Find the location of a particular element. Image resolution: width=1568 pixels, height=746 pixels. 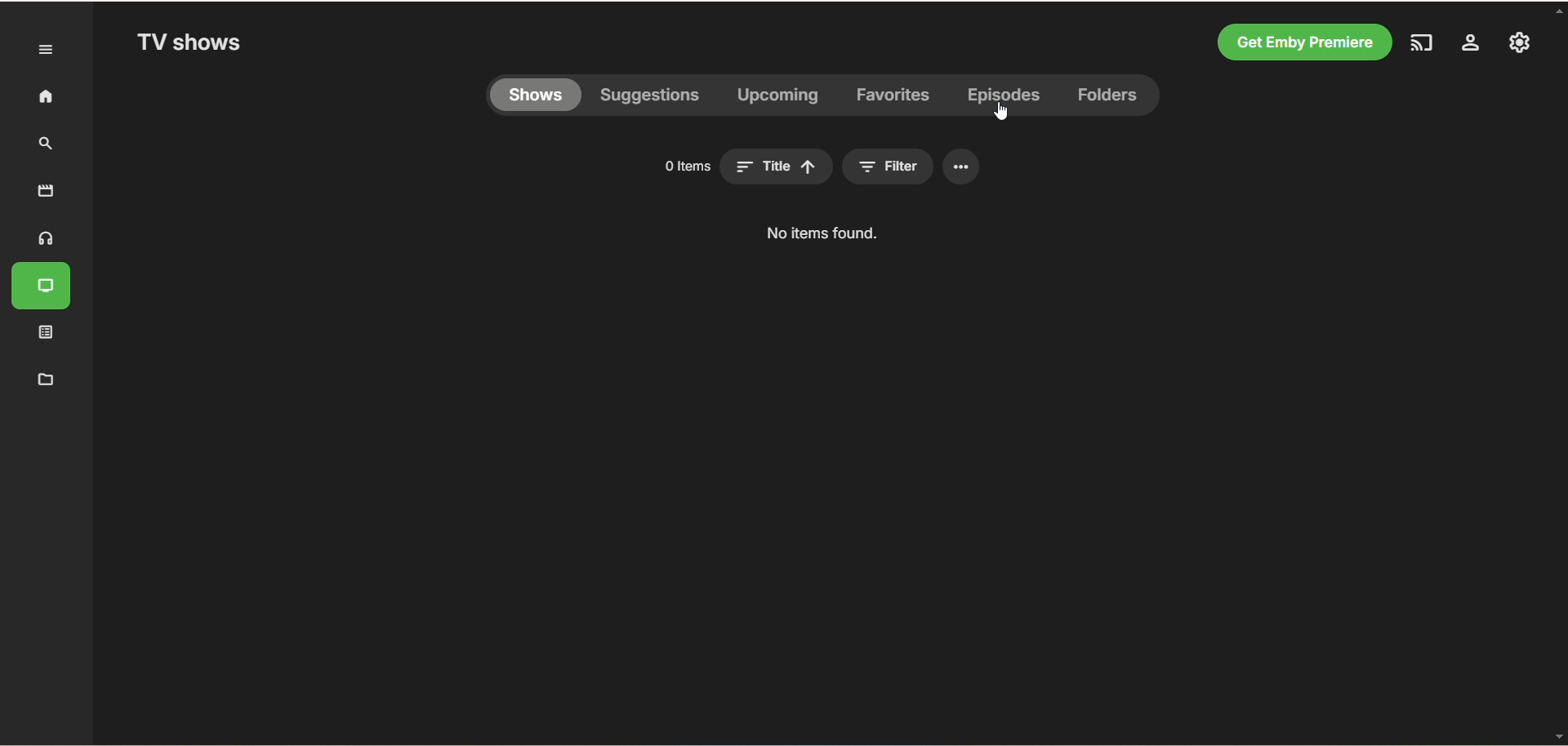

TV shows is located at coordinates (194, 44).